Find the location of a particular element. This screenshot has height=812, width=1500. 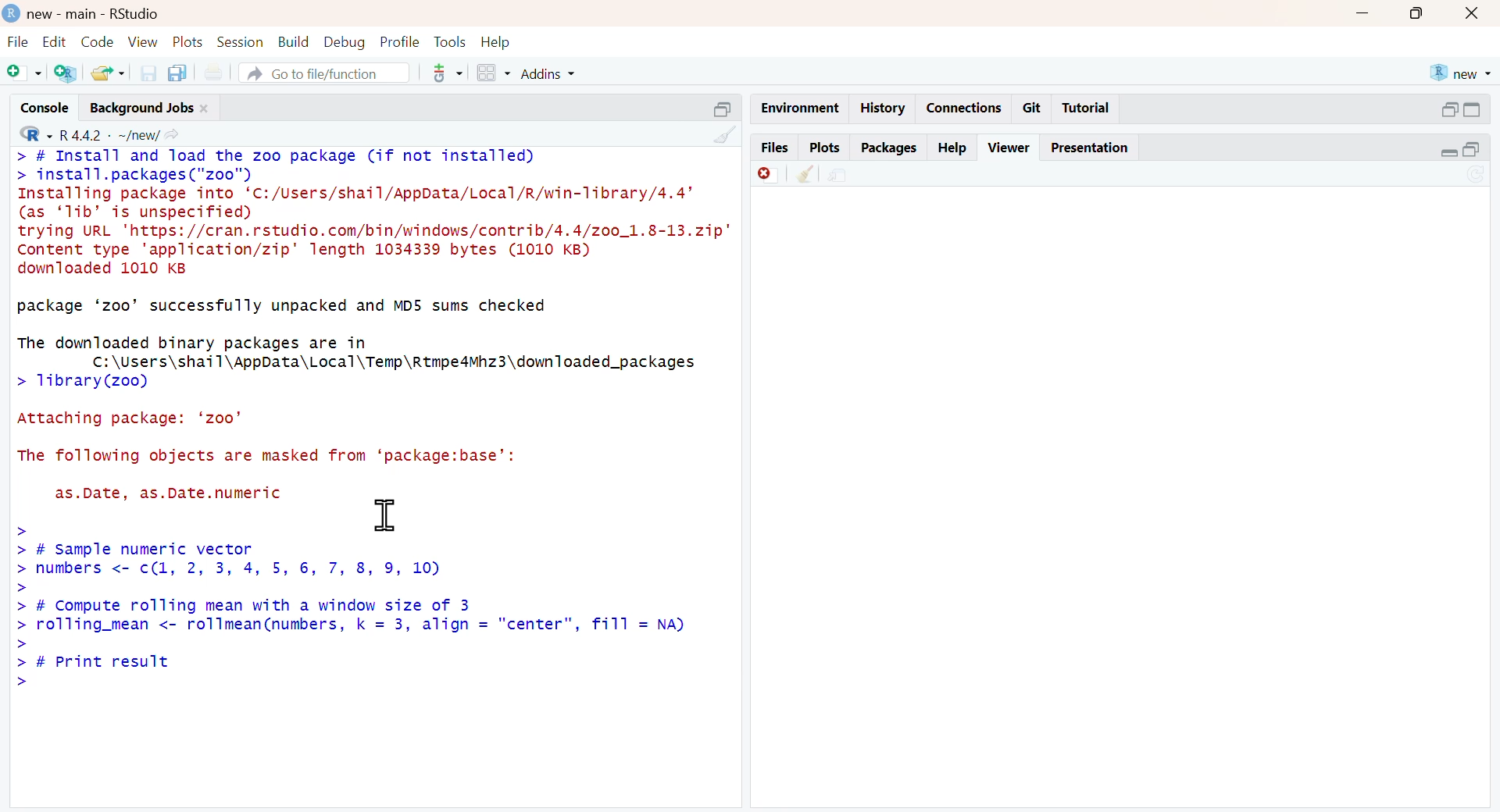

Tutorial  is located at coordinates (1087, 108).